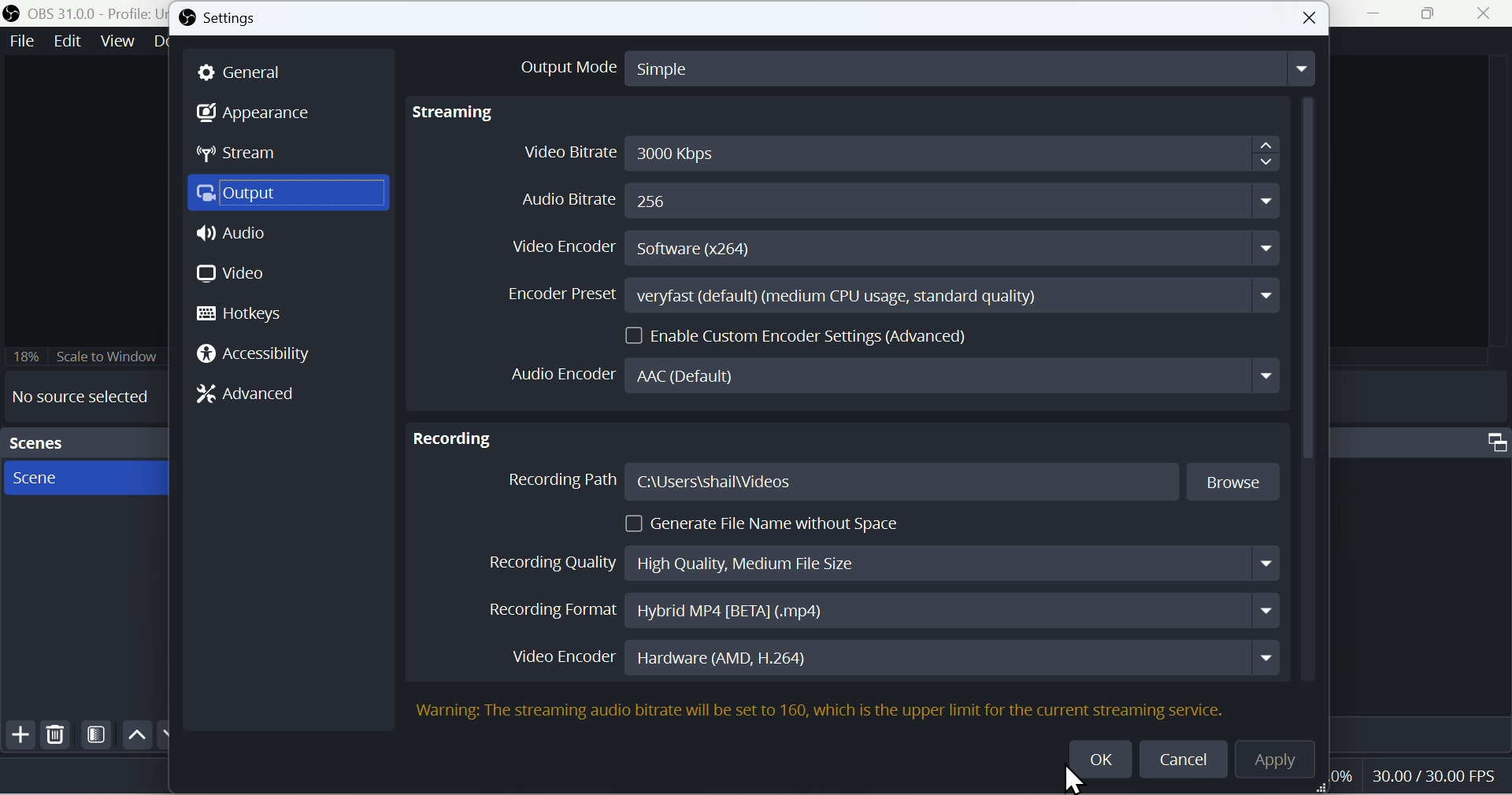  What do you see at coordinates (892, 375) in the screenshot?
I see `Audio Encoder` at bounding box center [892, 375].